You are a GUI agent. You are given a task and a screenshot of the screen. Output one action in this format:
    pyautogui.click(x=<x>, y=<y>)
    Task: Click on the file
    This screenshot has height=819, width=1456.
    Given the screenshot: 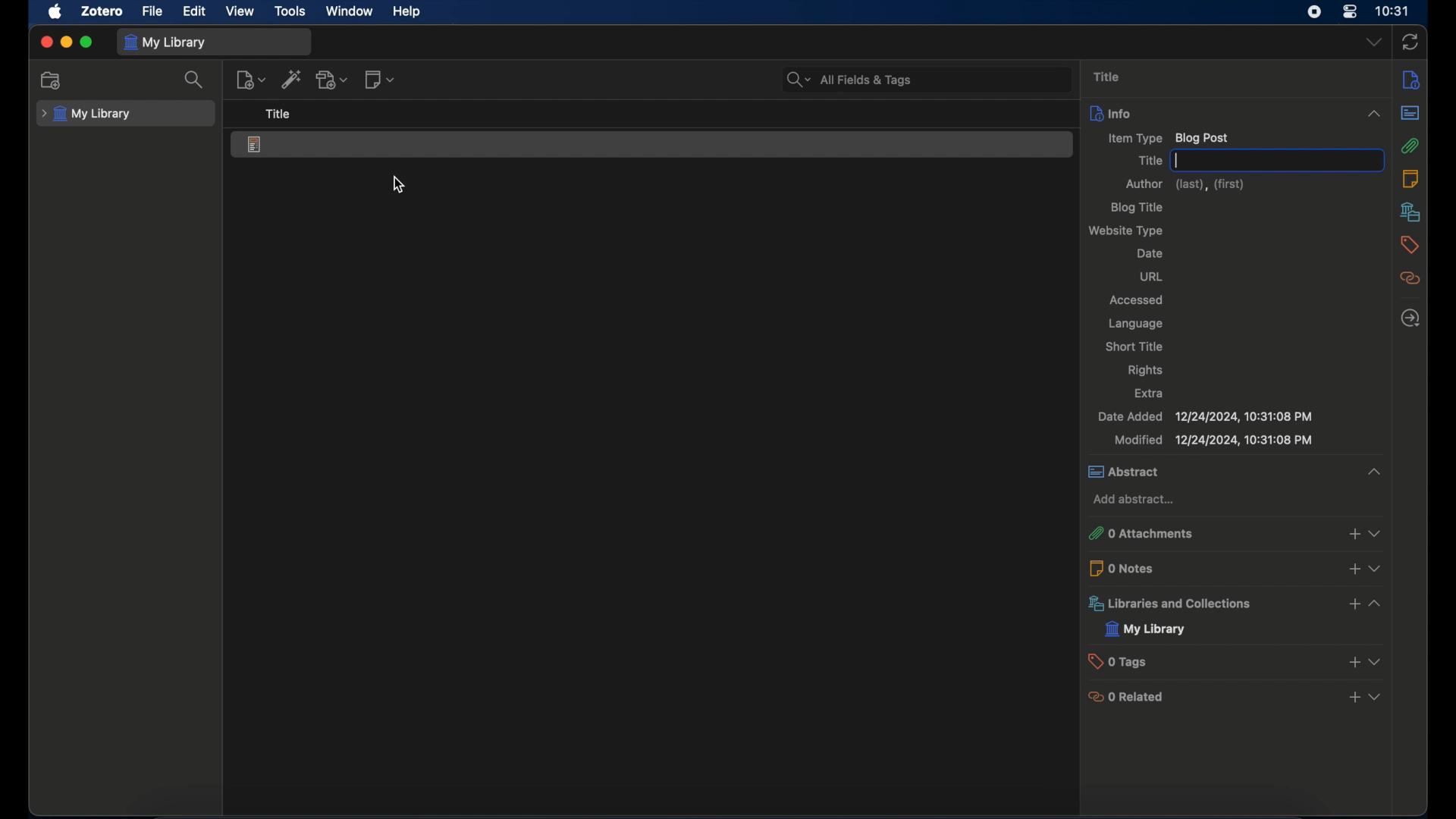 What is the action you would take?
    pyautogui.click(x=152, y=11)
    